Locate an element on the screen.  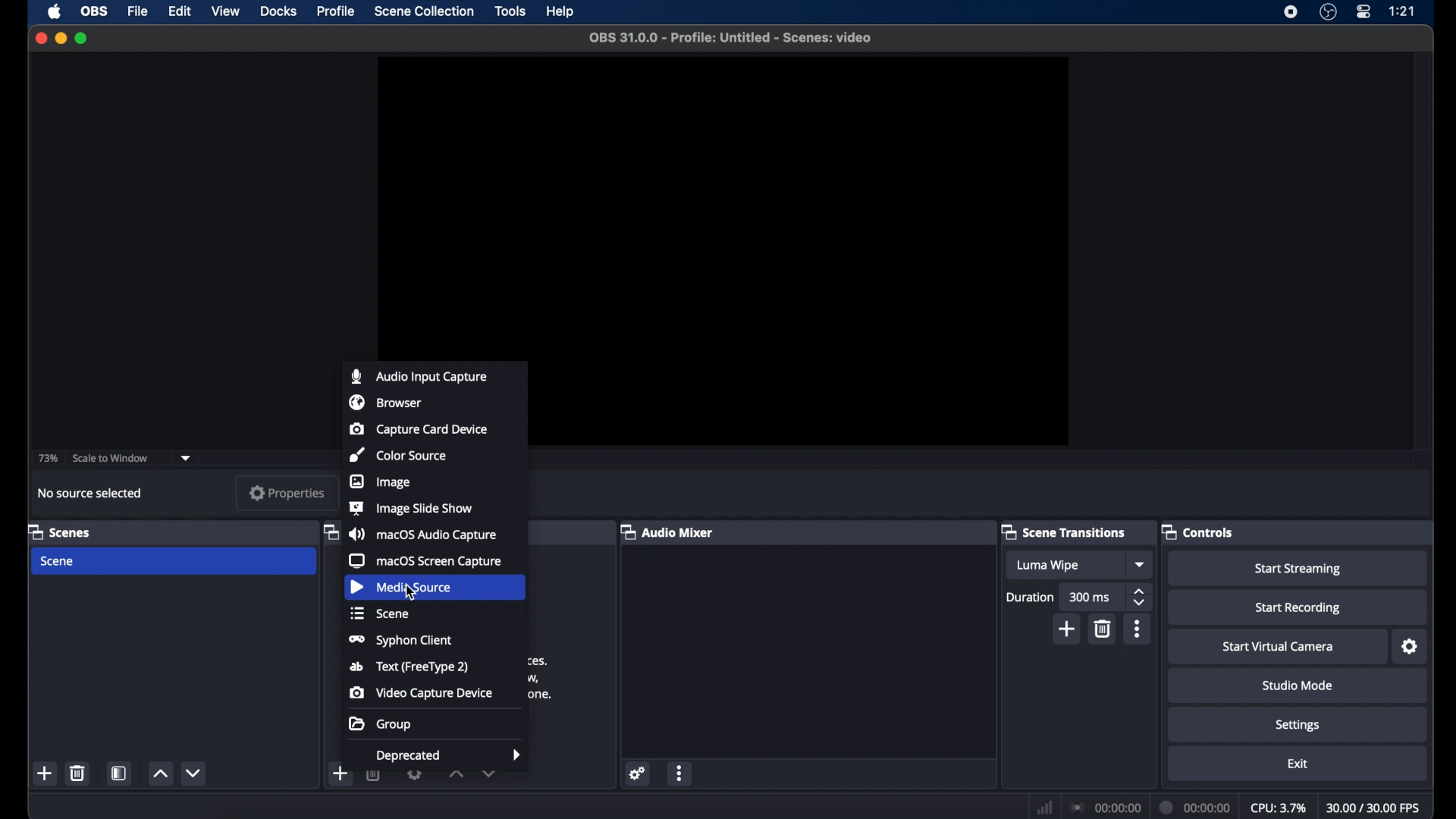
text is located at coordinates (411, 667).